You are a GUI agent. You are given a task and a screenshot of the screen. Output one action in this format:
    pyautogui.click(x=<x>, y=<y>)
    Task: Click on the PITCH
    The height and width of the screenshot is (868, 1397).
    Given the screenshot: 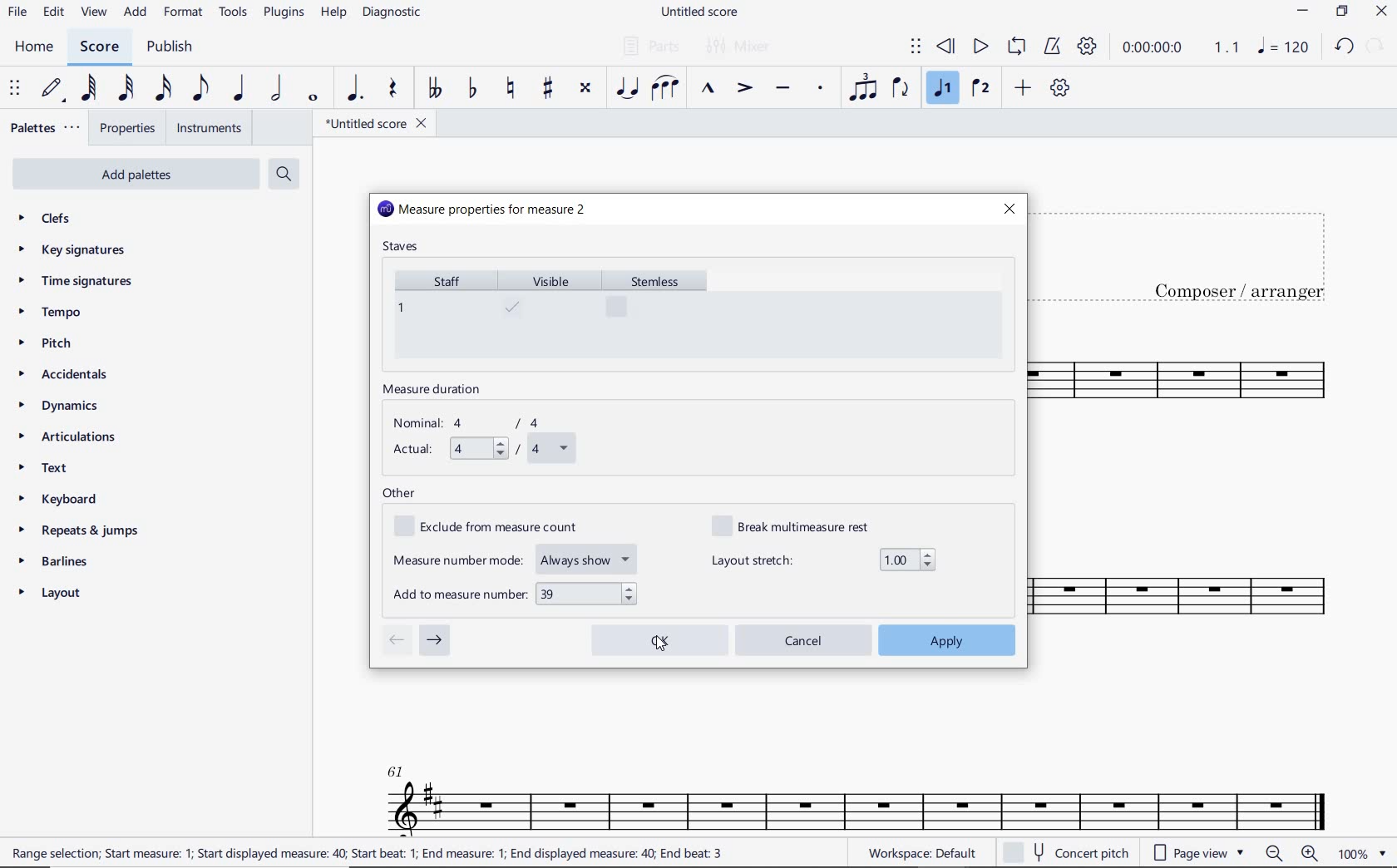 What is the action you would take?
    pyautogui.click(x=61, y=343)
    